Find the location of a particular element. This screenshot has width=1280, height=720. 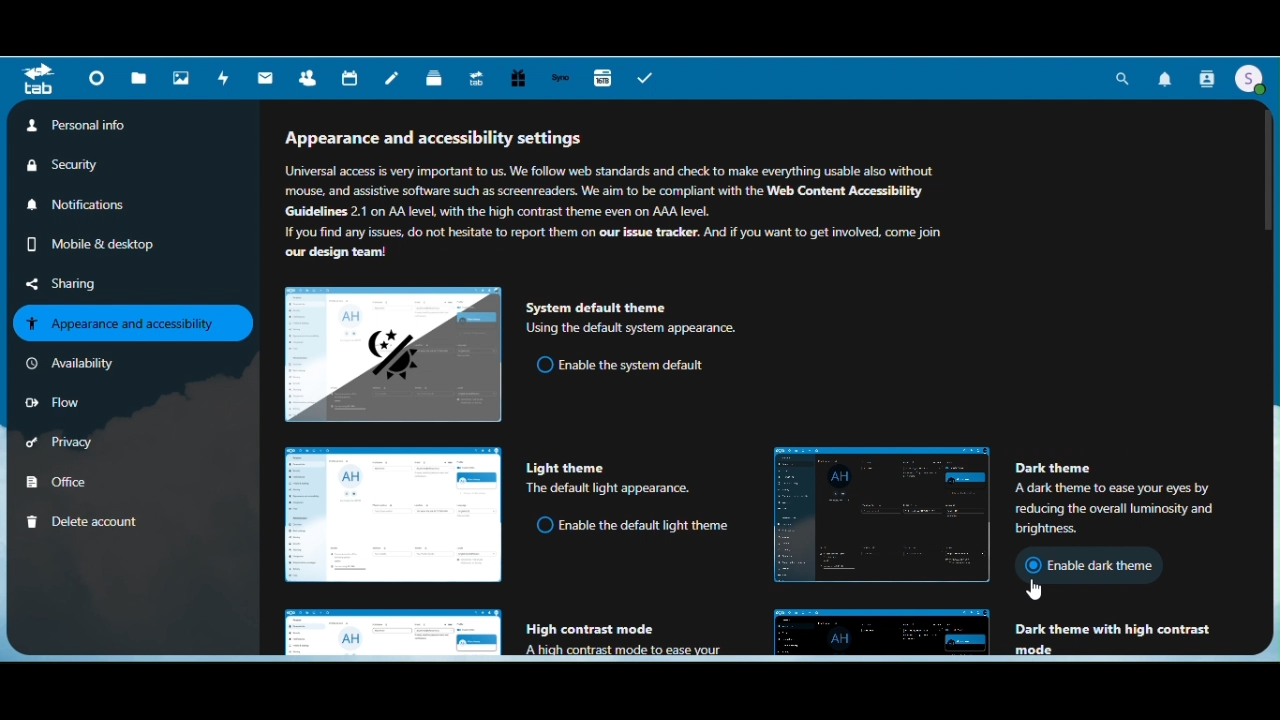

Dark theme with high contrast is located at coordinates (1011, 634).